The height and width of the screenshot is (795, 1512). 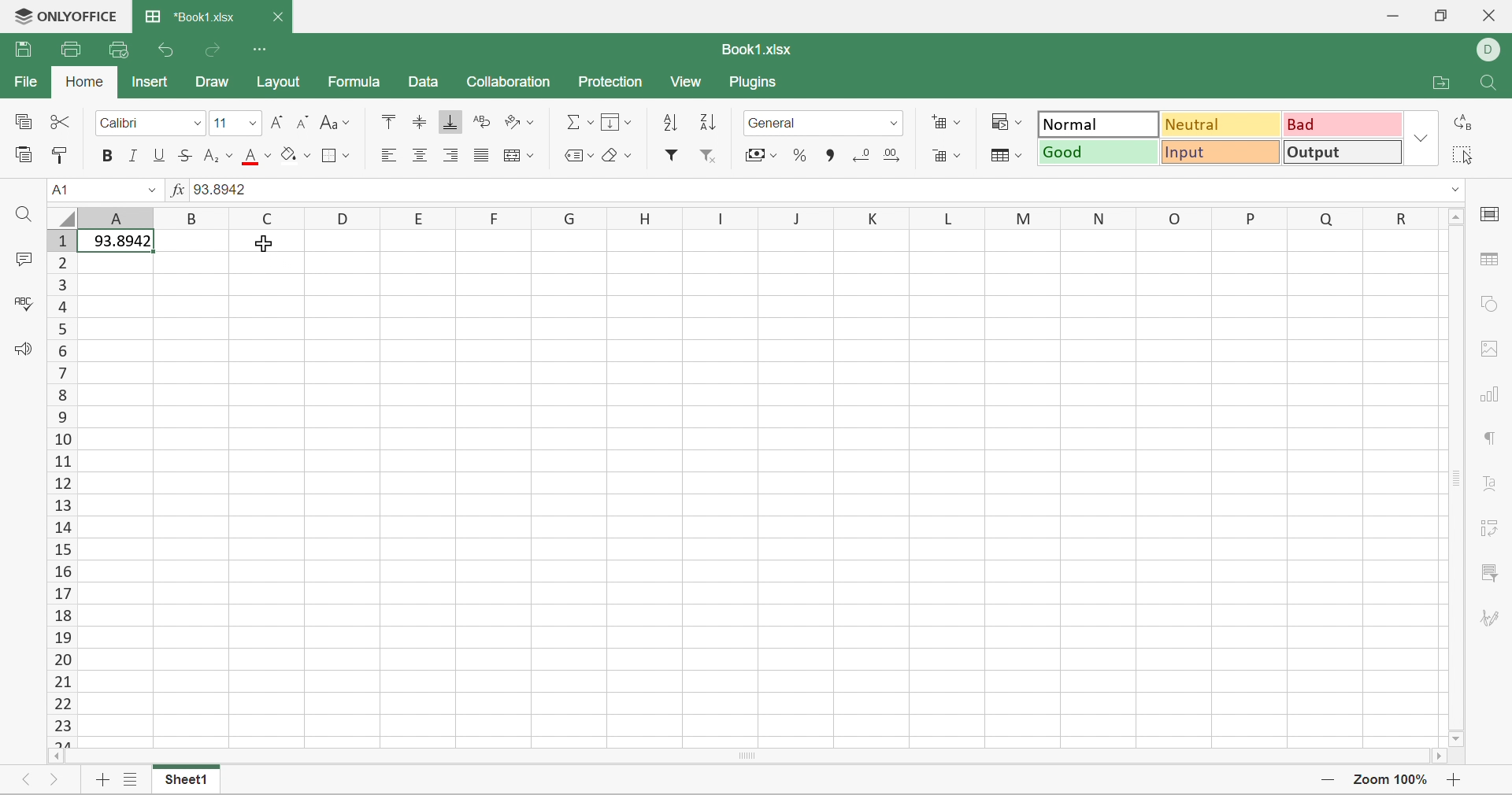 I want to click on Input, so click(x=1221, y=154).